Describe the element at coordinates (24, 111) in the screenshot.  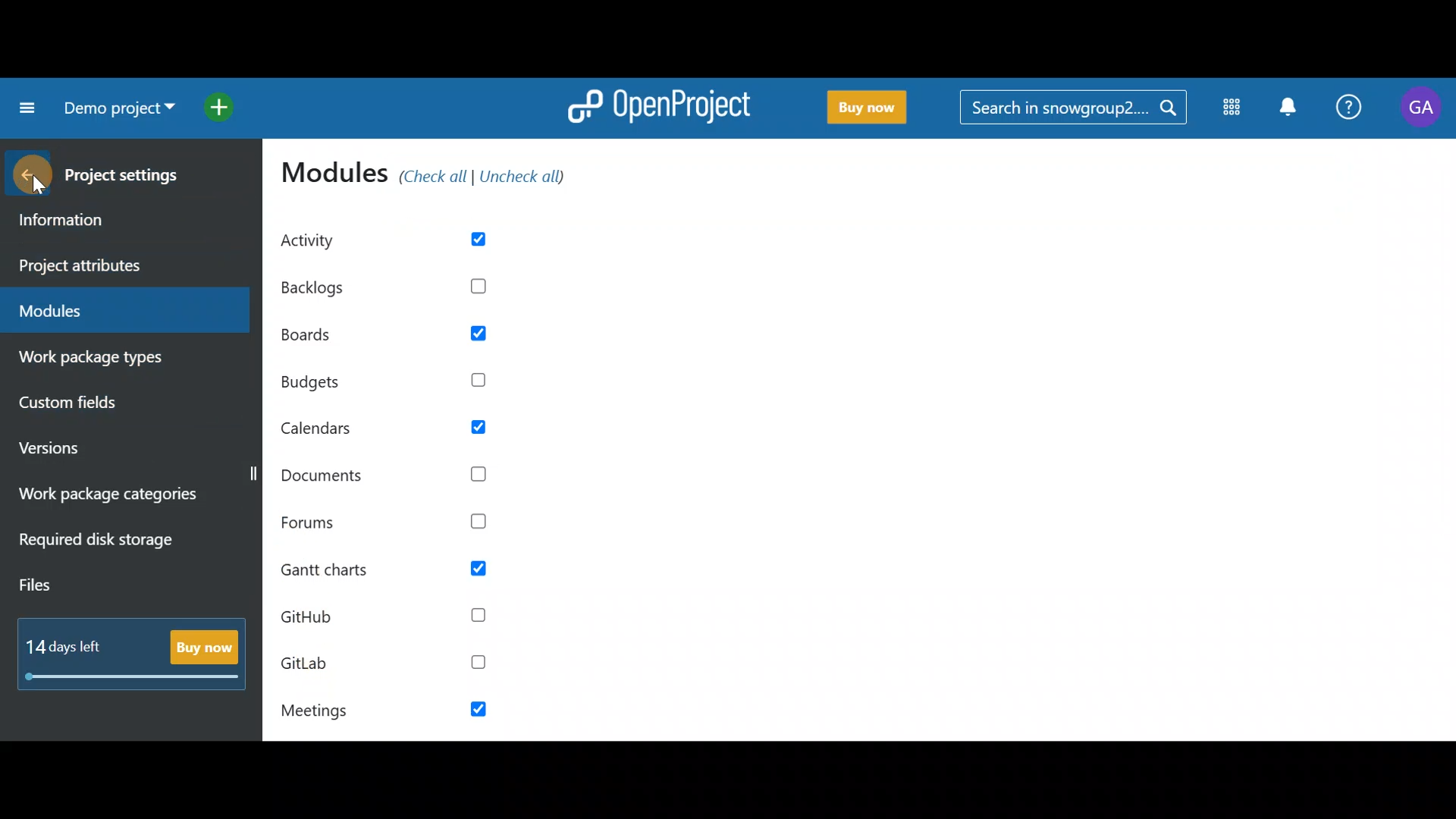
I see `Collapse project menu` at that location.